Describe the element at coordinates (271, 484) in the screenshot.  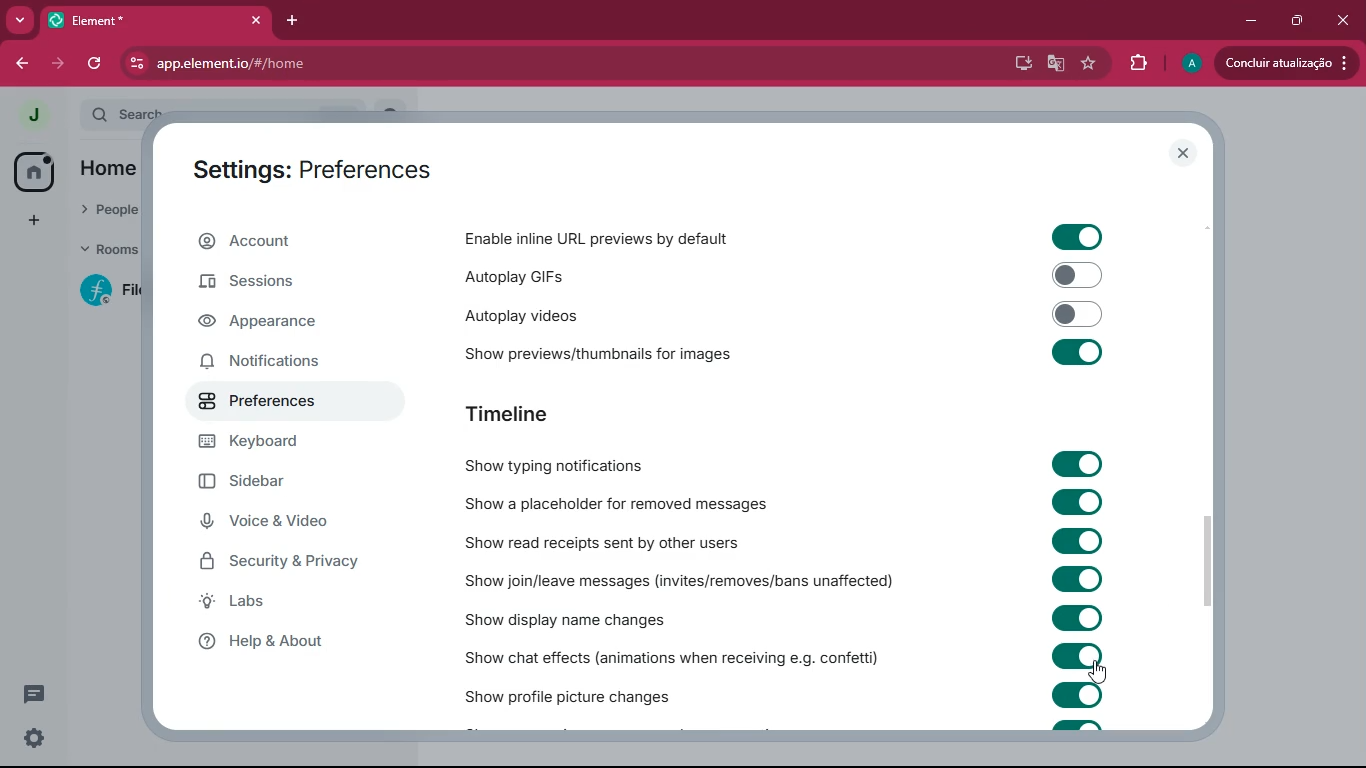
I see `sidebar` at that location.